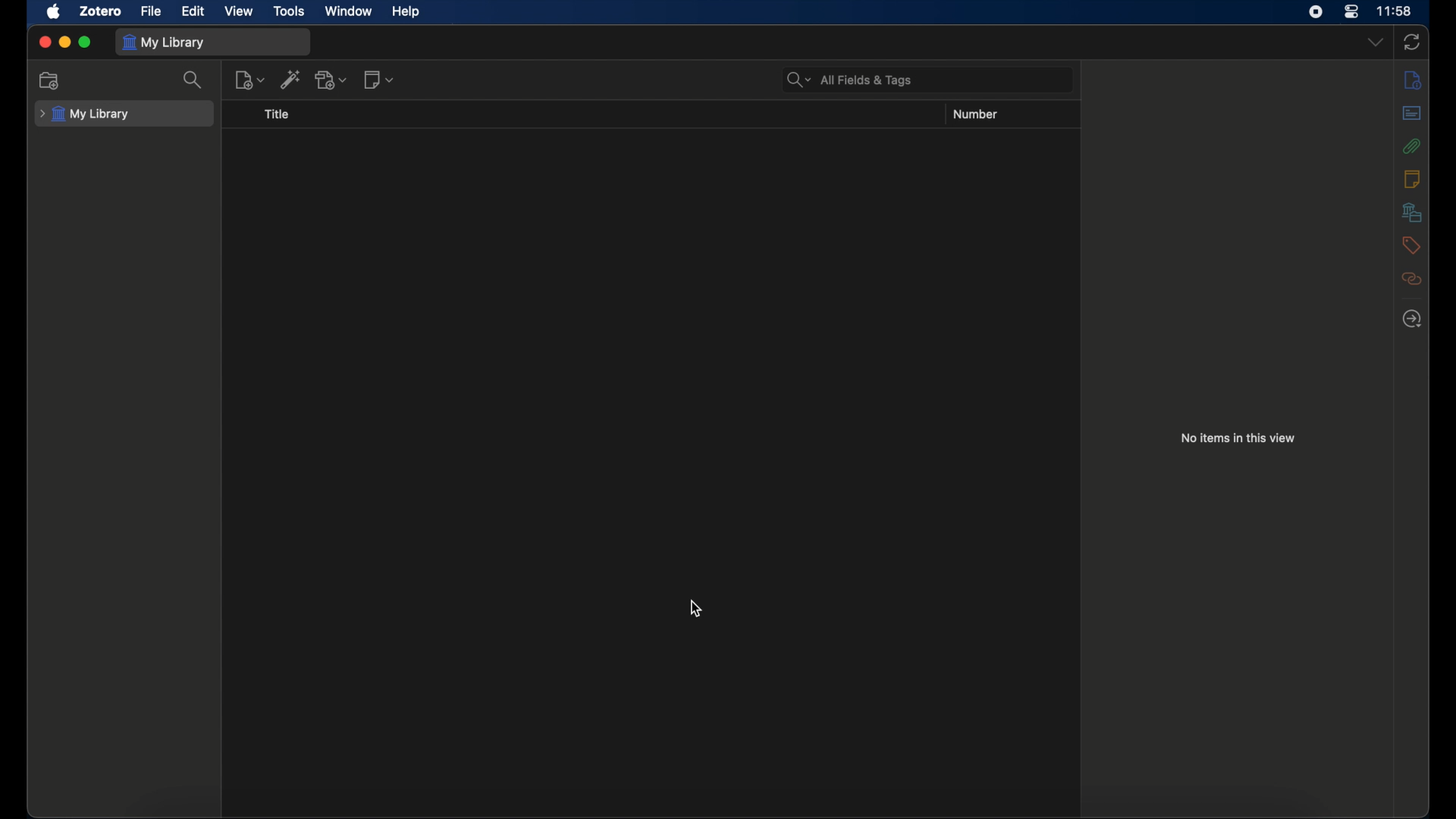  What do you see at coordinates (151, 11) in the screenshot?
I see `file` at bounding box center [151, 11].